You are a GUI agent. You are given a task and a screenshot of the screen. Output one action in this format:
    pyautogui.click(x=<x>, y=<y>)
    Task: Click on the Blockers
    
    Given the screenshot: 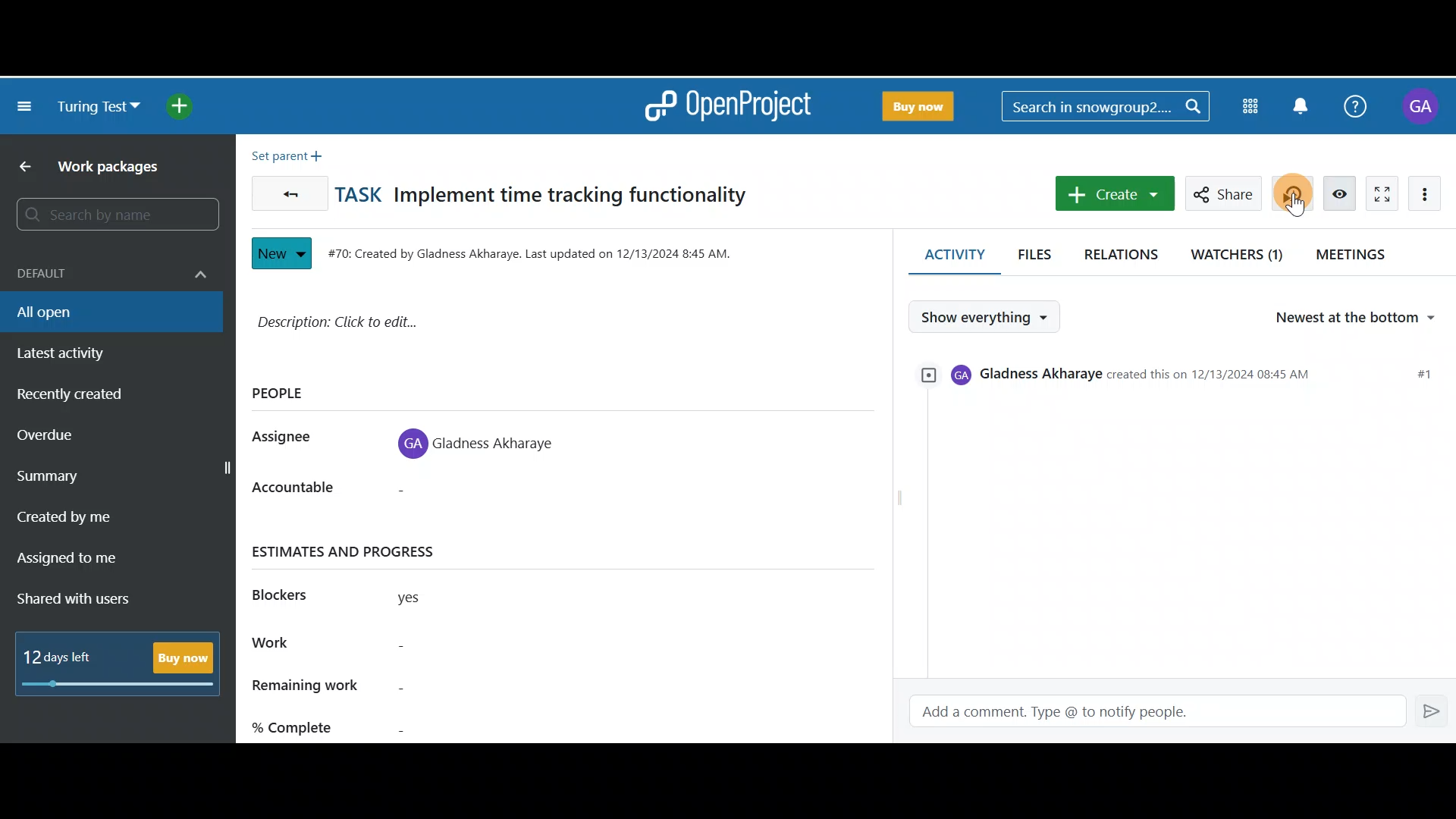 What is the action you would take?
    pyautogui.click(x=290, y=592)
    